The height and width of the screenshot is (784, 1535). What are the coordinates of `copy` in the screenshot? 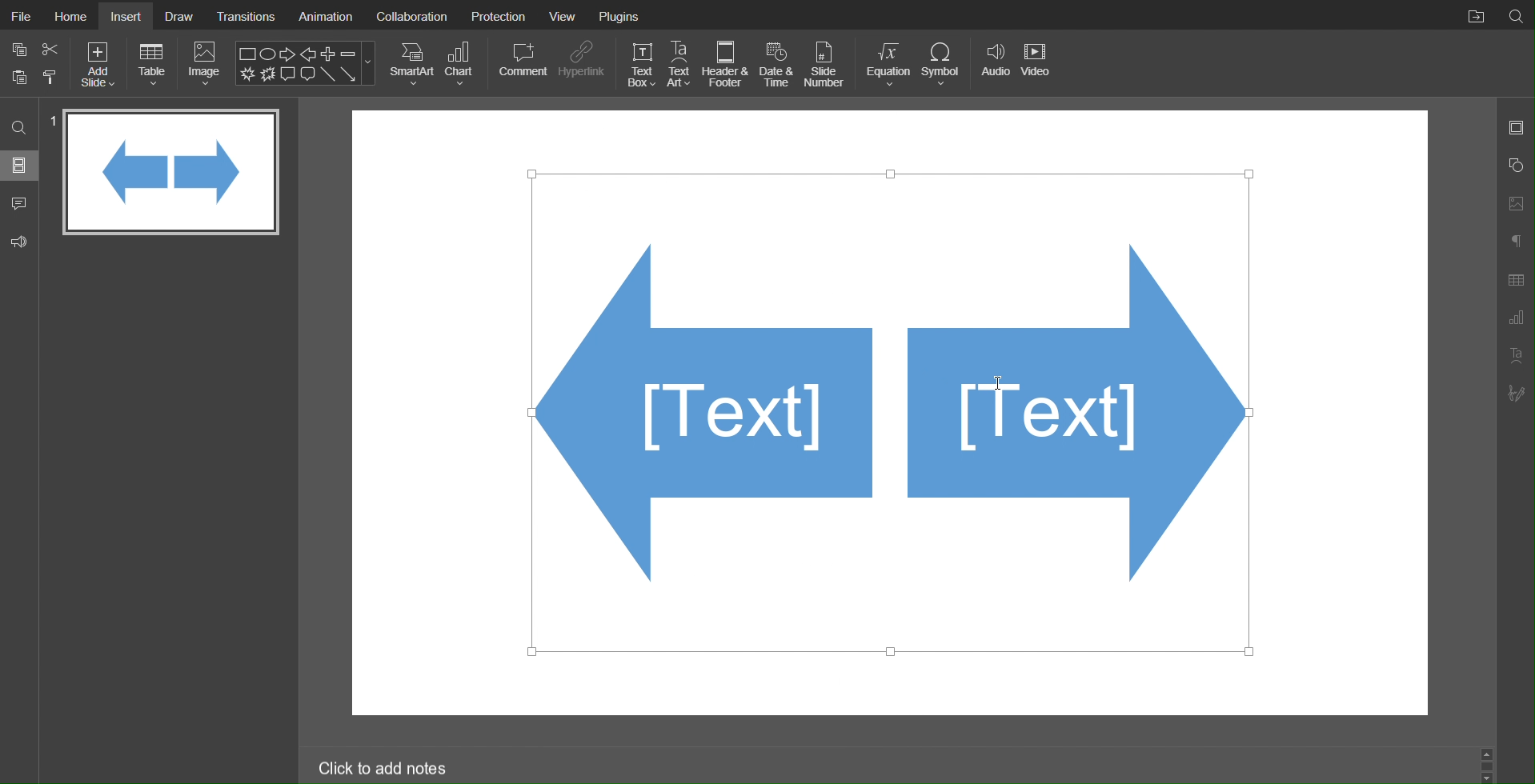 It's located at (18, 48).